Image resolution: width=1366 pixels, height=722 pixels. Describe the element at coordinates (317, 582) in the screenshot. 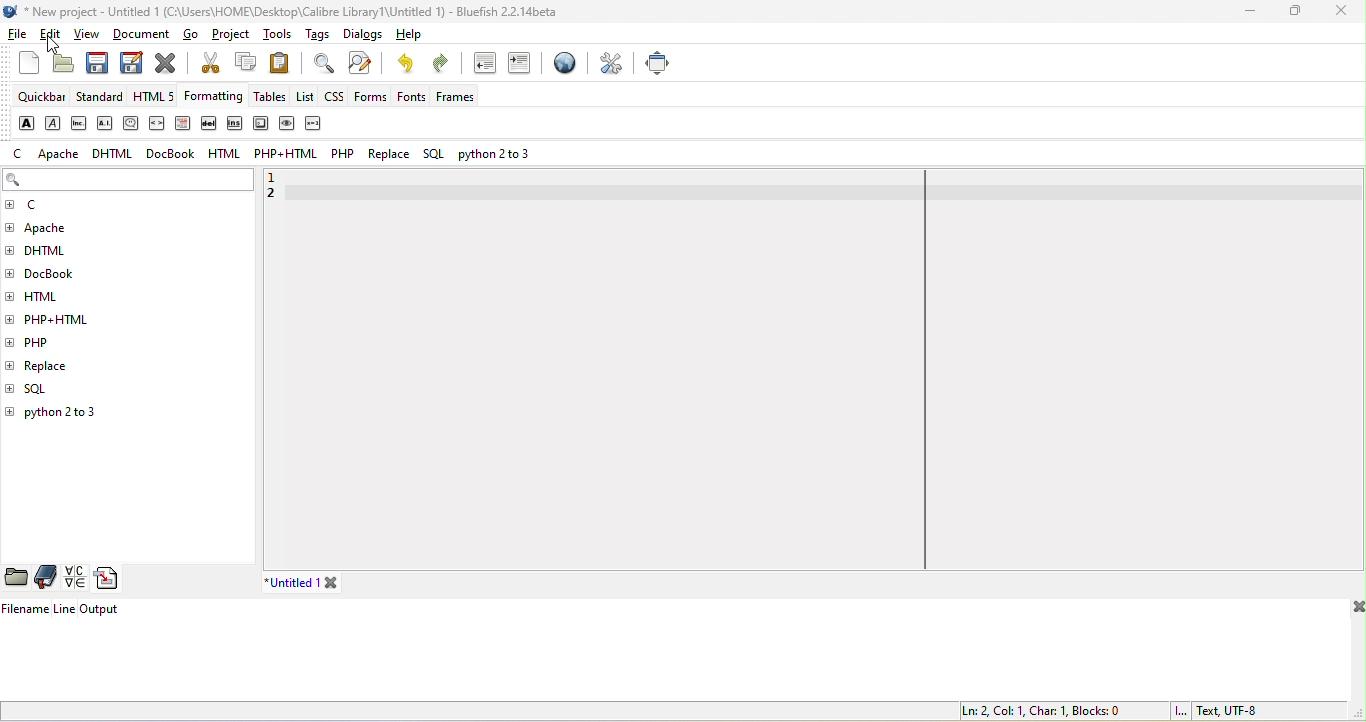

I see `untitled` at that location.